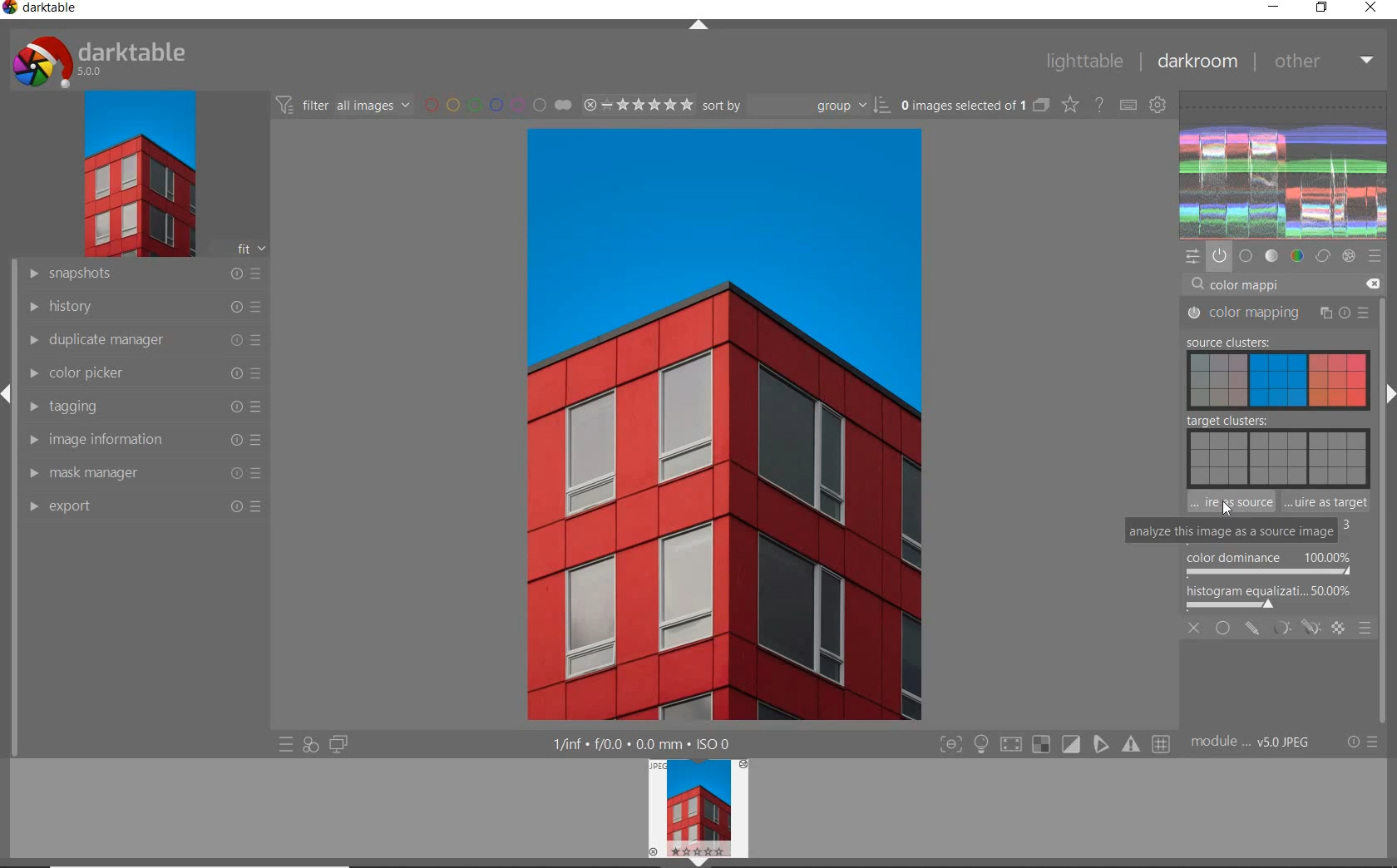  What do you see at coordinates (1389, 393) in the screenshot?
I see `expand/collapse` at bounding box center [1389, 393].